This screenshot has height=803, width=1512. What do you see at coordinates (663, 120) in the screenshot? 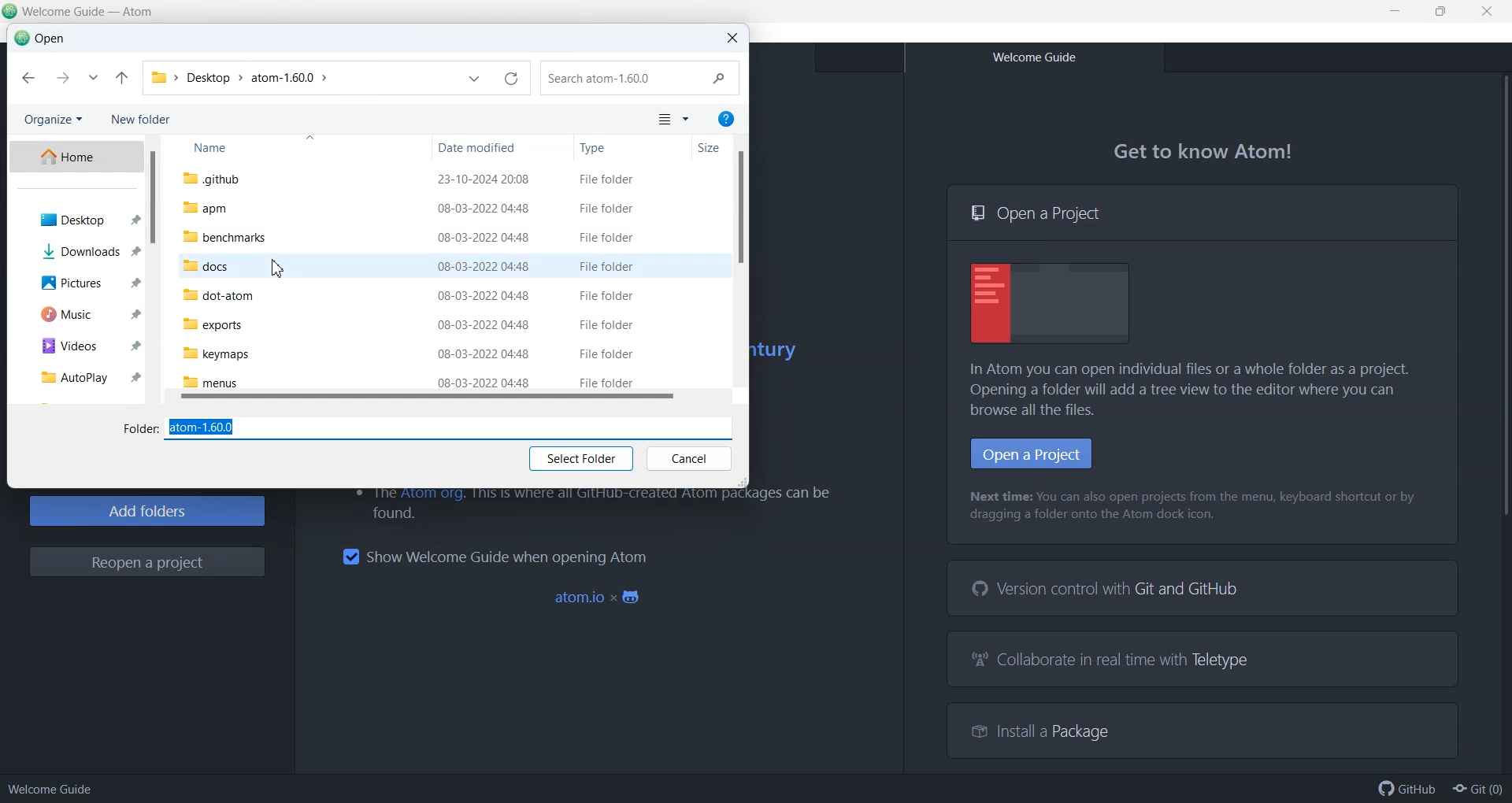
I see `Change your view` at bounding box center [663, 120].